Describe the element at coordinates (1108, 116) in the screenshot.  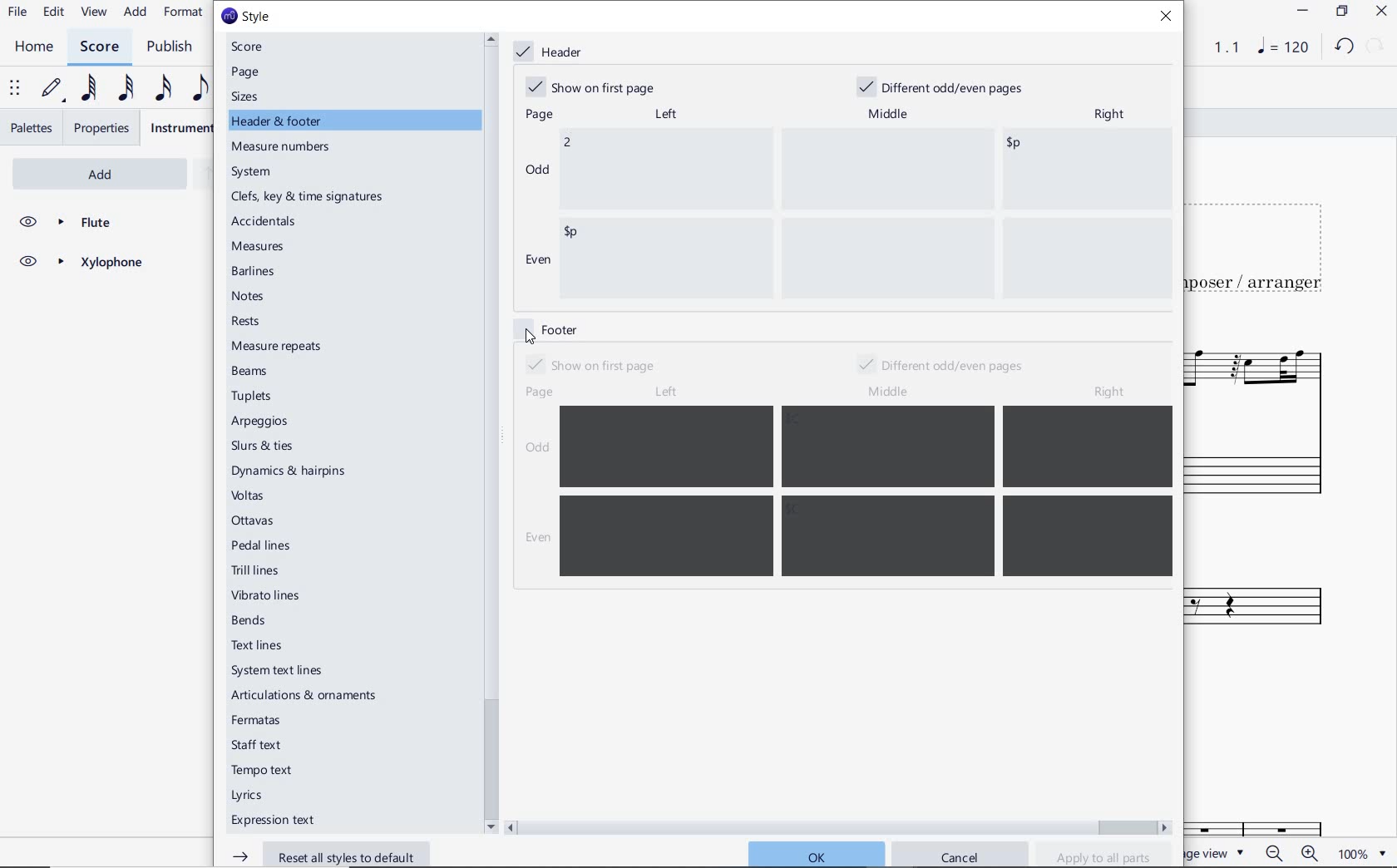
I see `right` at that location.